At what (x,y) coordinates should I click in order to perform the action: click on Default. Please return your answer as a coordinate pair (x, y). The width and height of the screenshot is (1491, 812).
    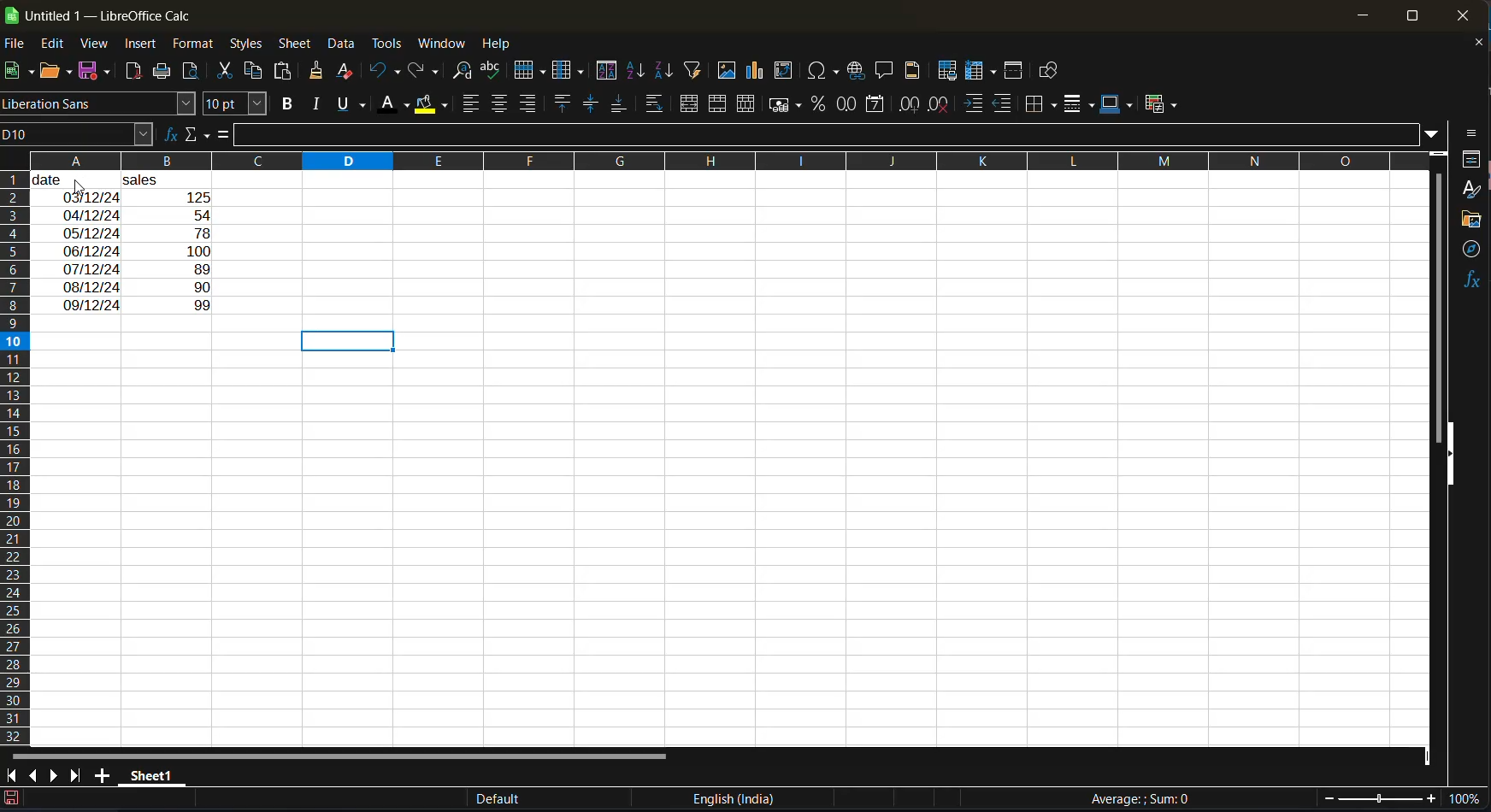
    Looking at the image, I should click on (495, 799).